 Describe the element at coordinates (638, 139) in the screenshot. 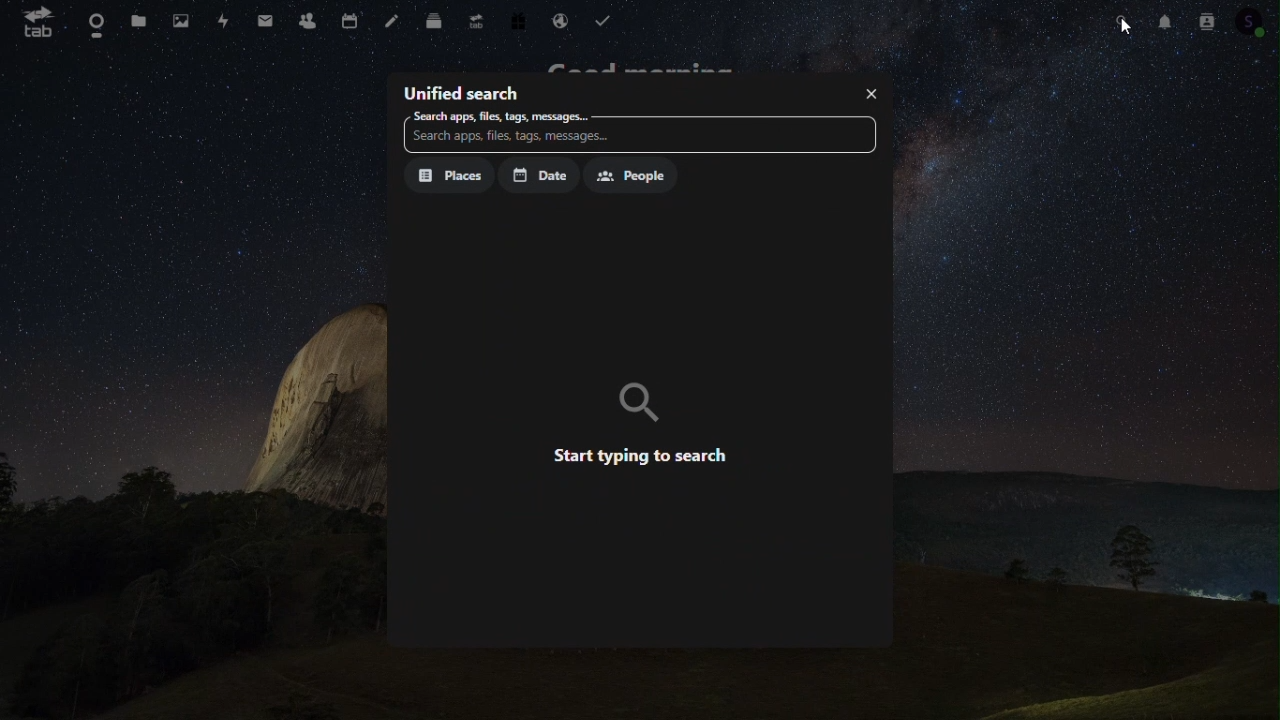

I see `Search` at that location.